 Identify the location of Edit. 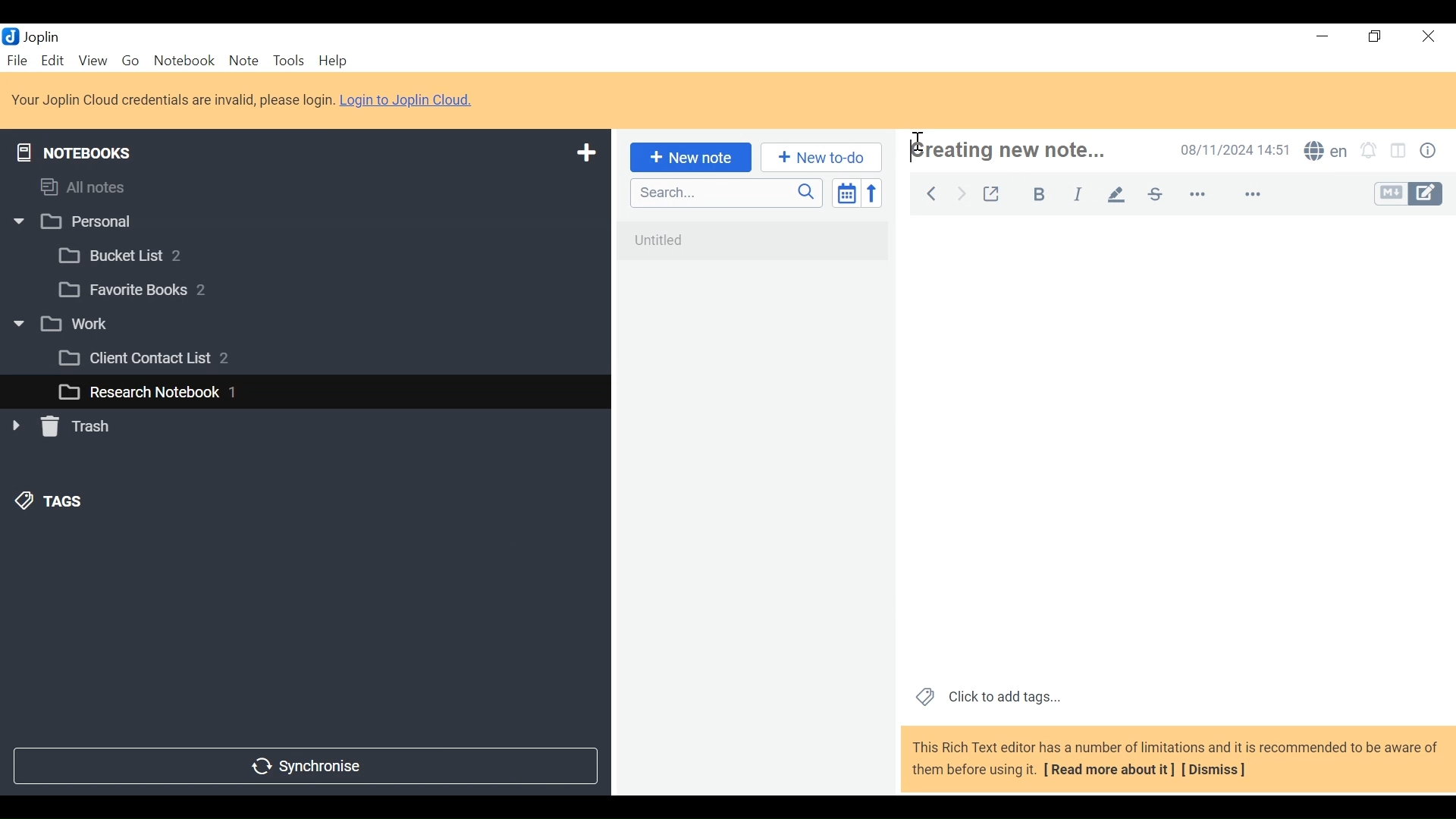
(54, 60).